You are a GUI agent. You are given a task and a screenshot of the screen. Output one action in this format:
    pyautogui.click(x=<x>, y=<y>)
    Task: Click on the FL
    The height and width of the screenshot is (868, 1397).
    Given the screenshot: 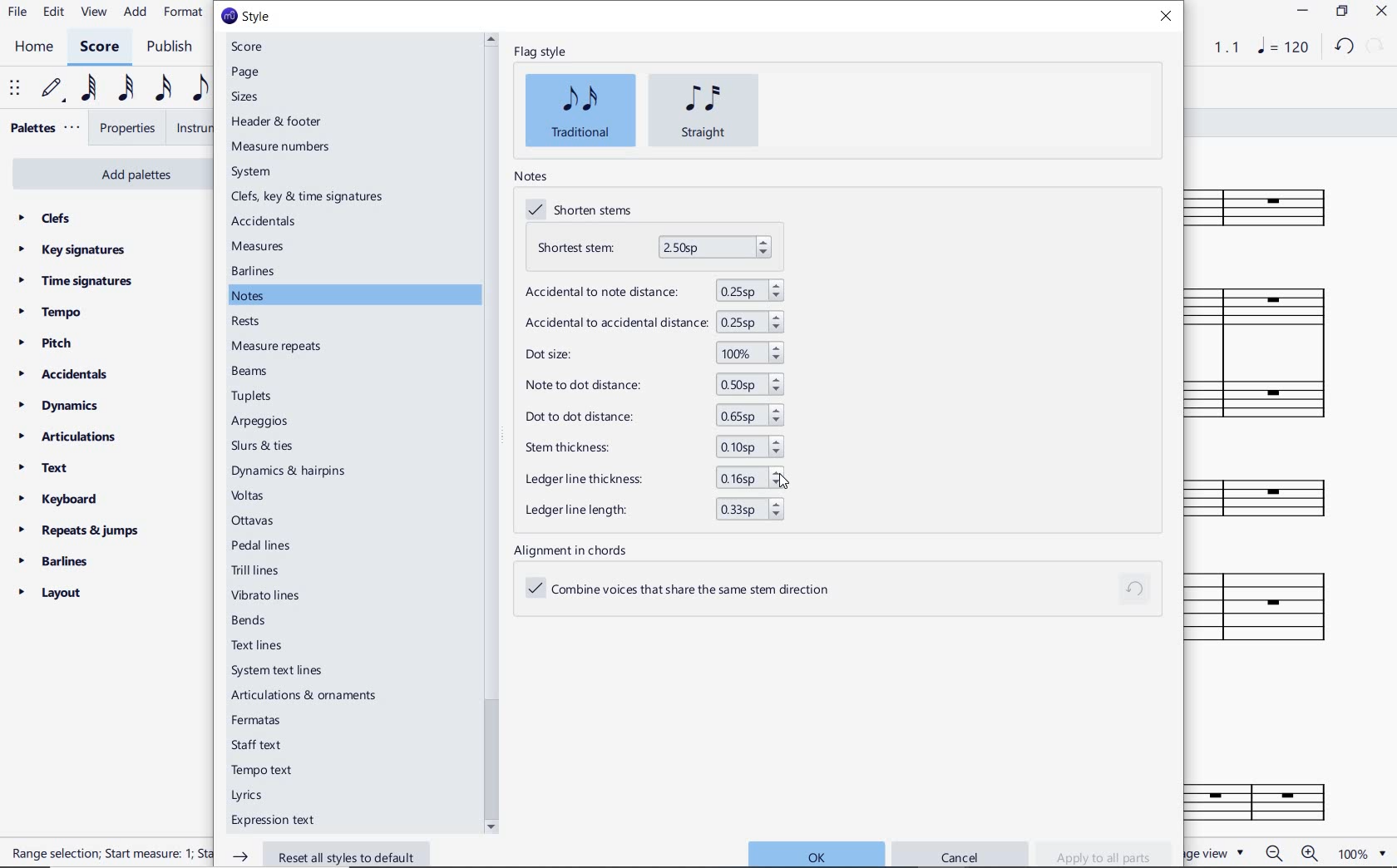 What is the action you would take?
    pyautogui.click(x=1273, y=794)
    